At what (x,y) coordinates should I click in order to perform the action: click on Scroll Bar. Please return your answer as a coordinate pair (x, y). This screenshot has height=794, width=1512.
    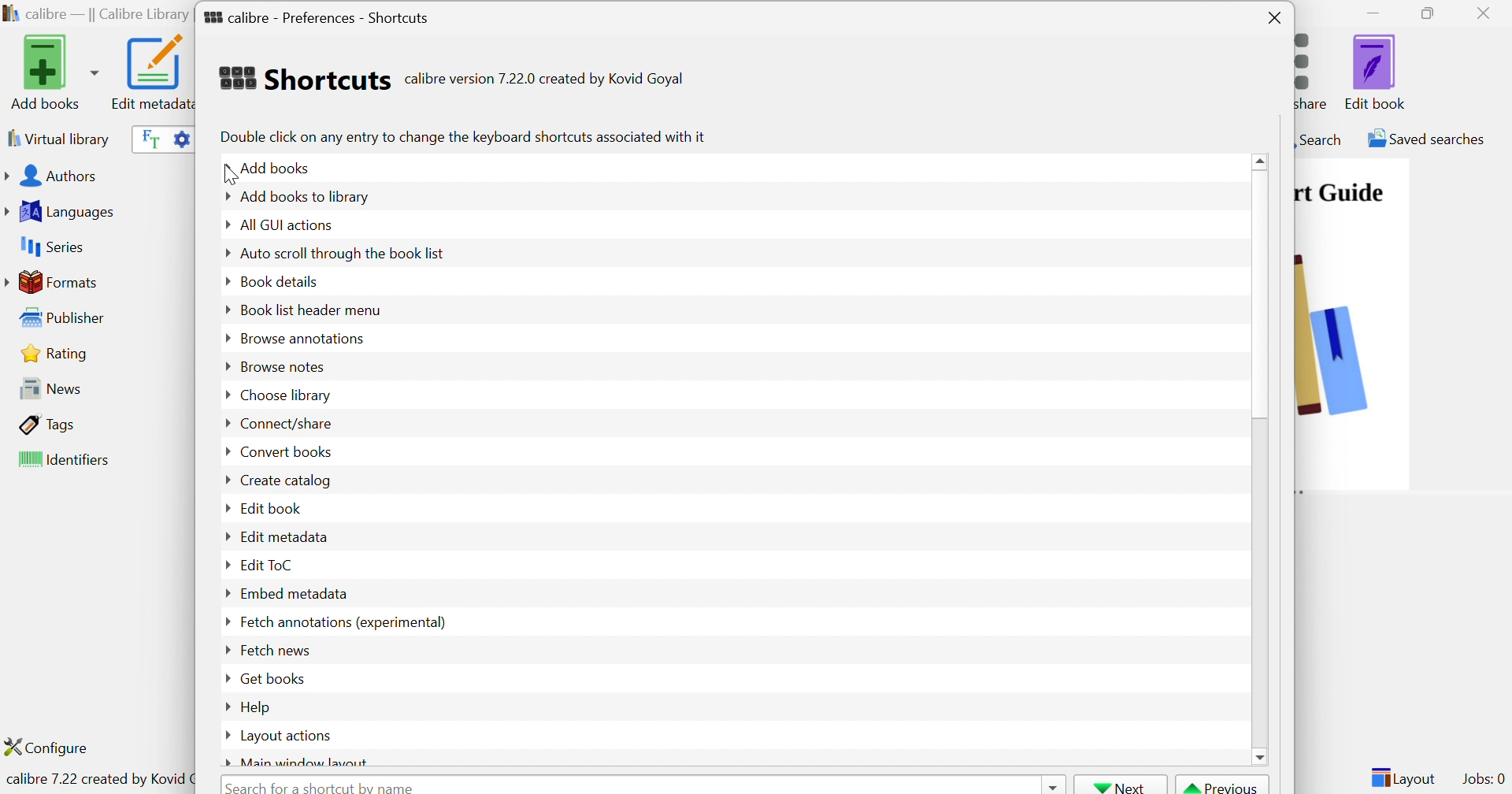
    Looking at the image, I should click on (1262, 295).